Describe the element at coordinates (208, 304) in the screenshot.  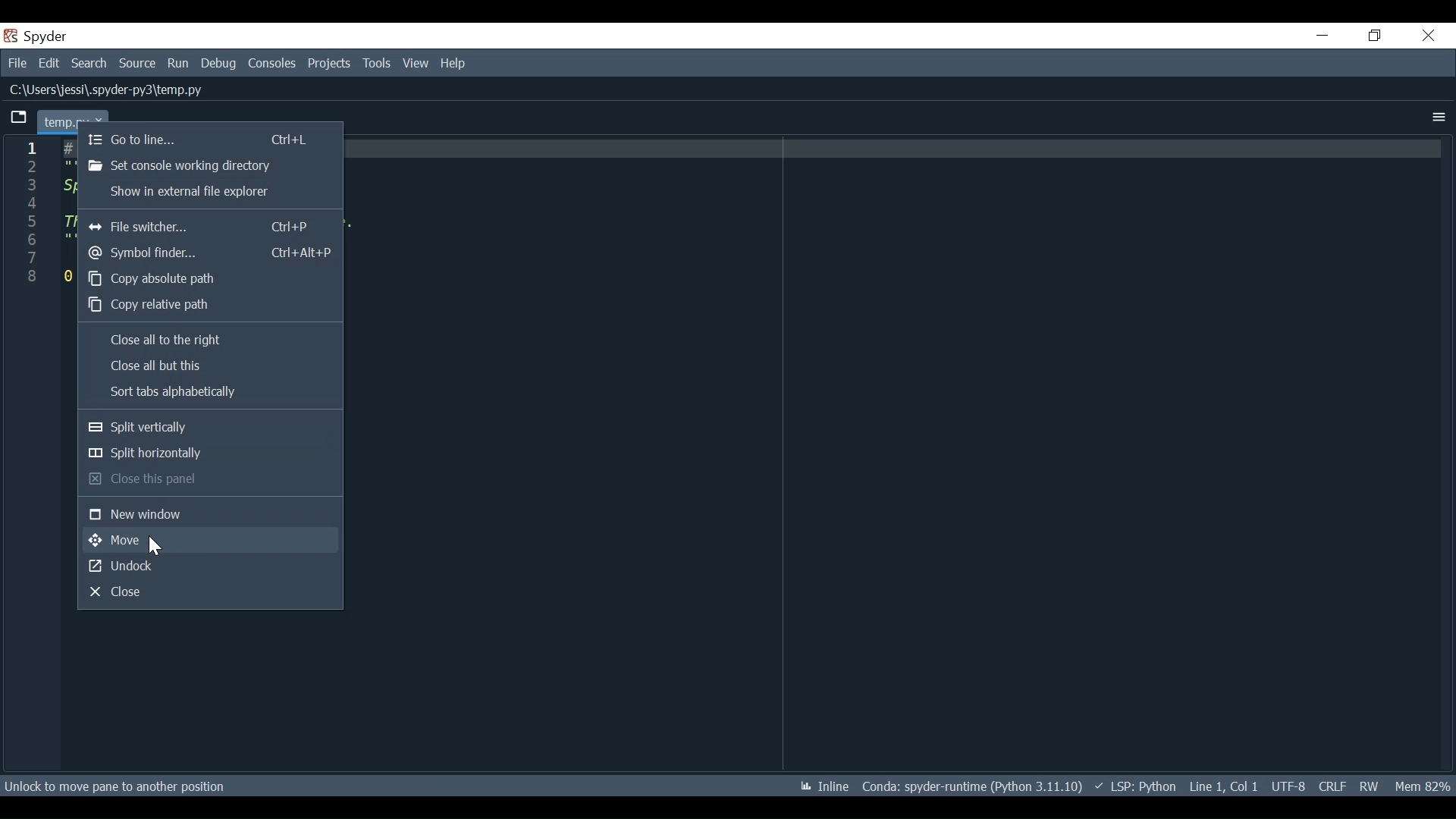
I see `Copy relevant path` at that location.